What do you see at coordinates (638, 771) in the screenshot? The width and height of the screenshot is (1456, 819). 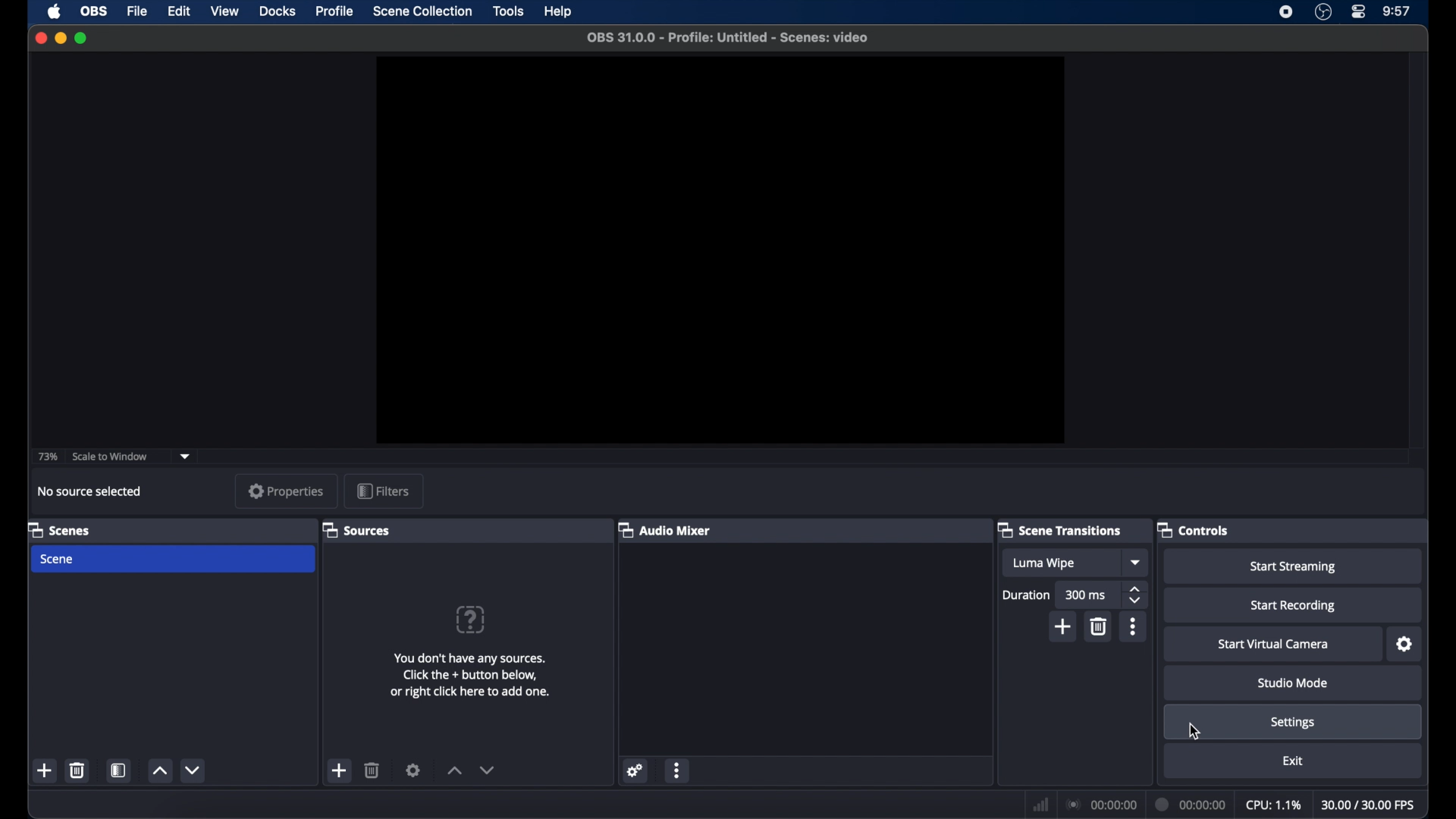 I see `settings` at bounding box center [638, 771].